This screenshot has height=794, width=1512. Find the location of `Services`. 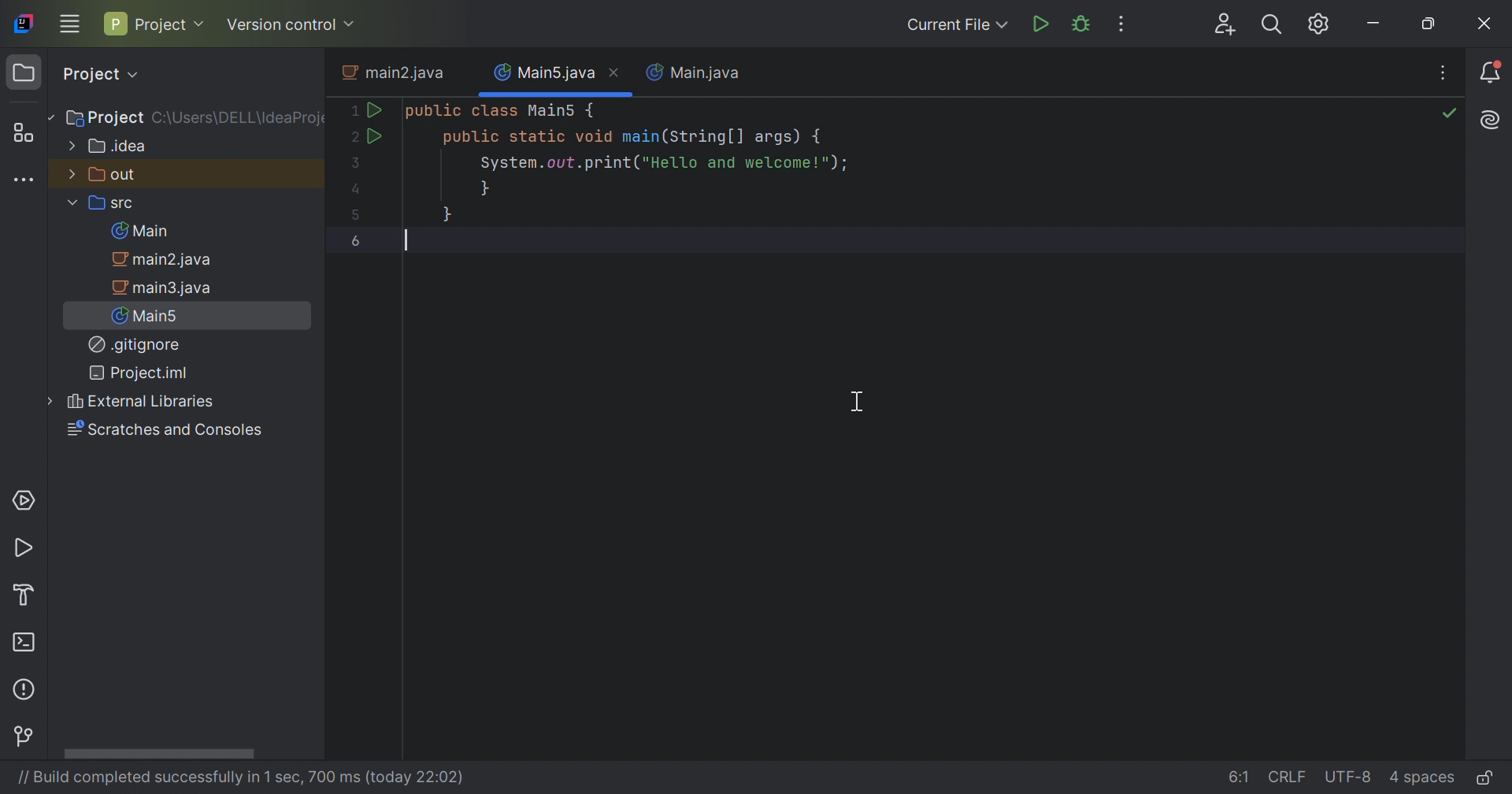

Services is located at coordinates (22, 499).